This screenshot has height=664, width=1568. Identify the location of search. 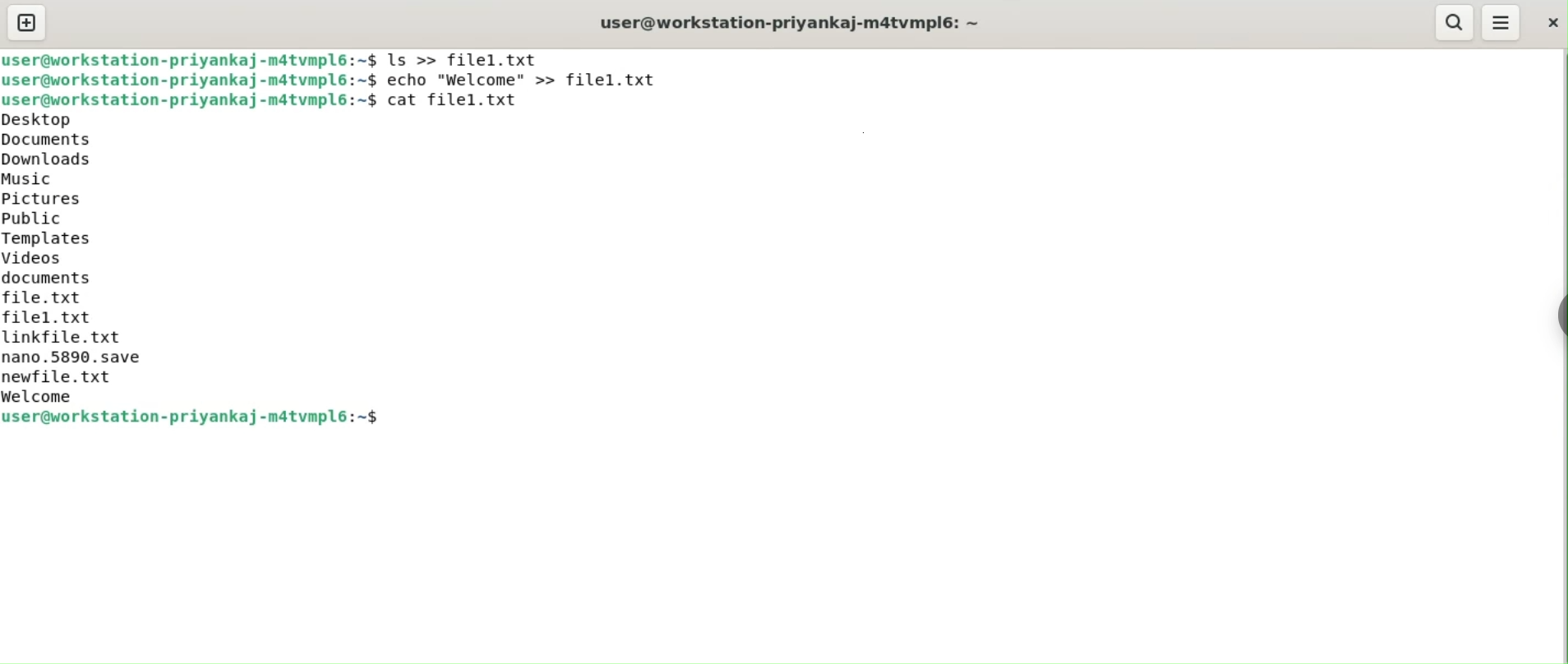
(1453, 22).